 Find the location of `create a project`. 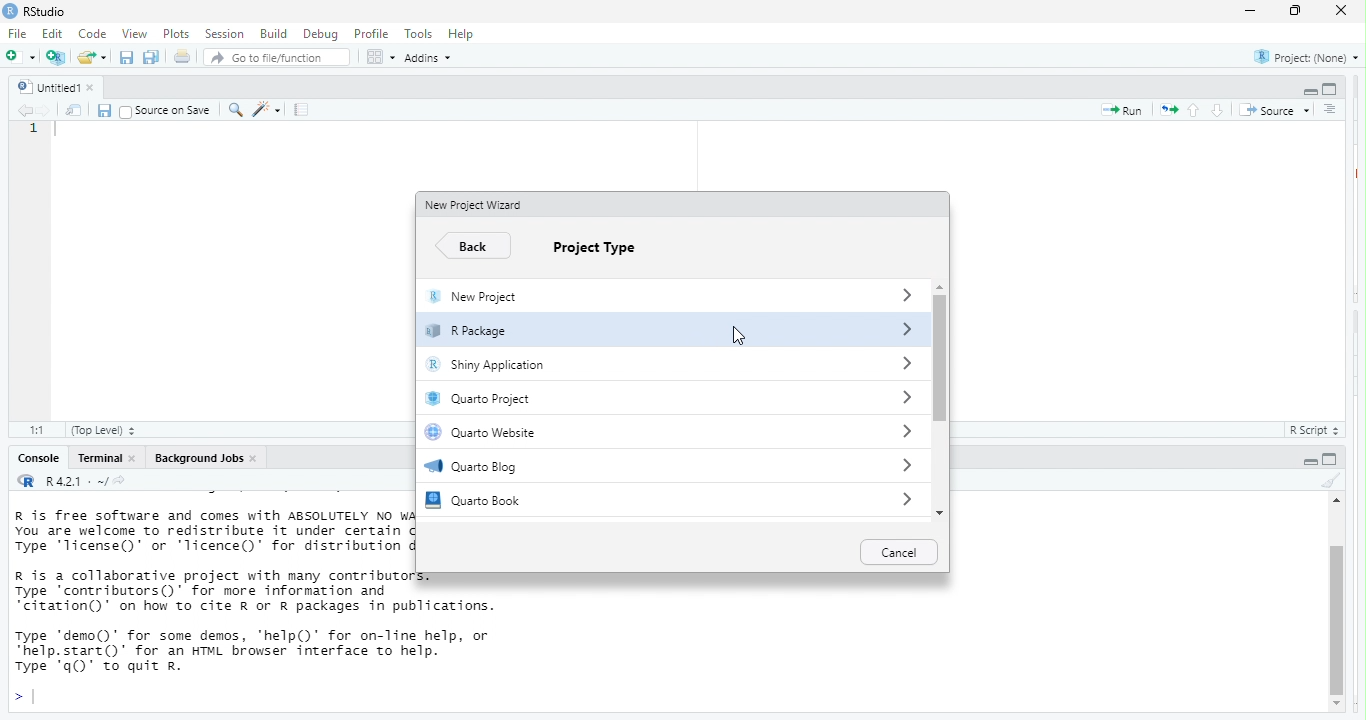

create a project is located at coordinates (55, 55).